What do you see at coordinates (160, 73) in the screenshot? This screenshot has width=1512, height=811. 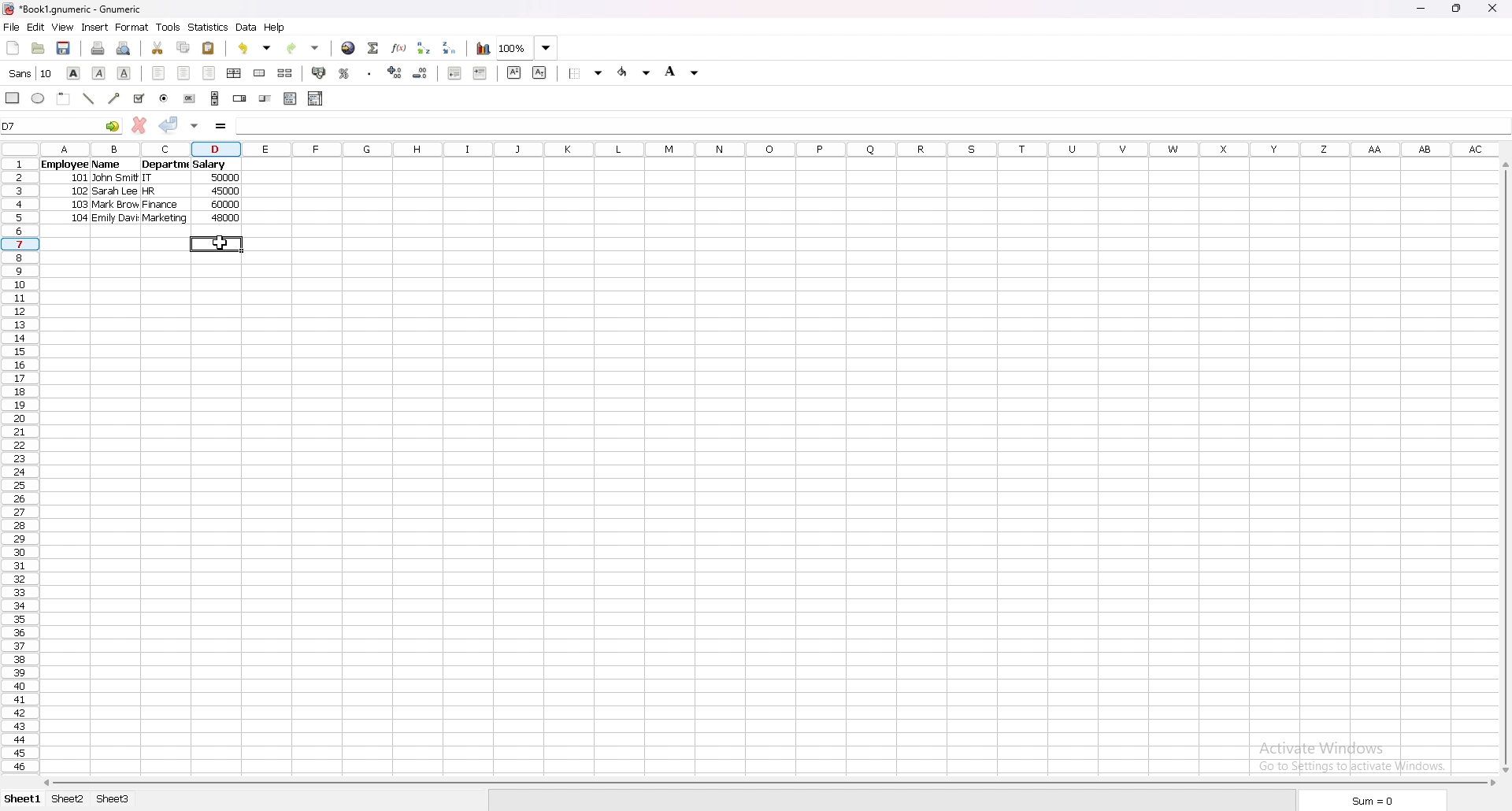 I see `left indent` at bounding box center [160, 73].